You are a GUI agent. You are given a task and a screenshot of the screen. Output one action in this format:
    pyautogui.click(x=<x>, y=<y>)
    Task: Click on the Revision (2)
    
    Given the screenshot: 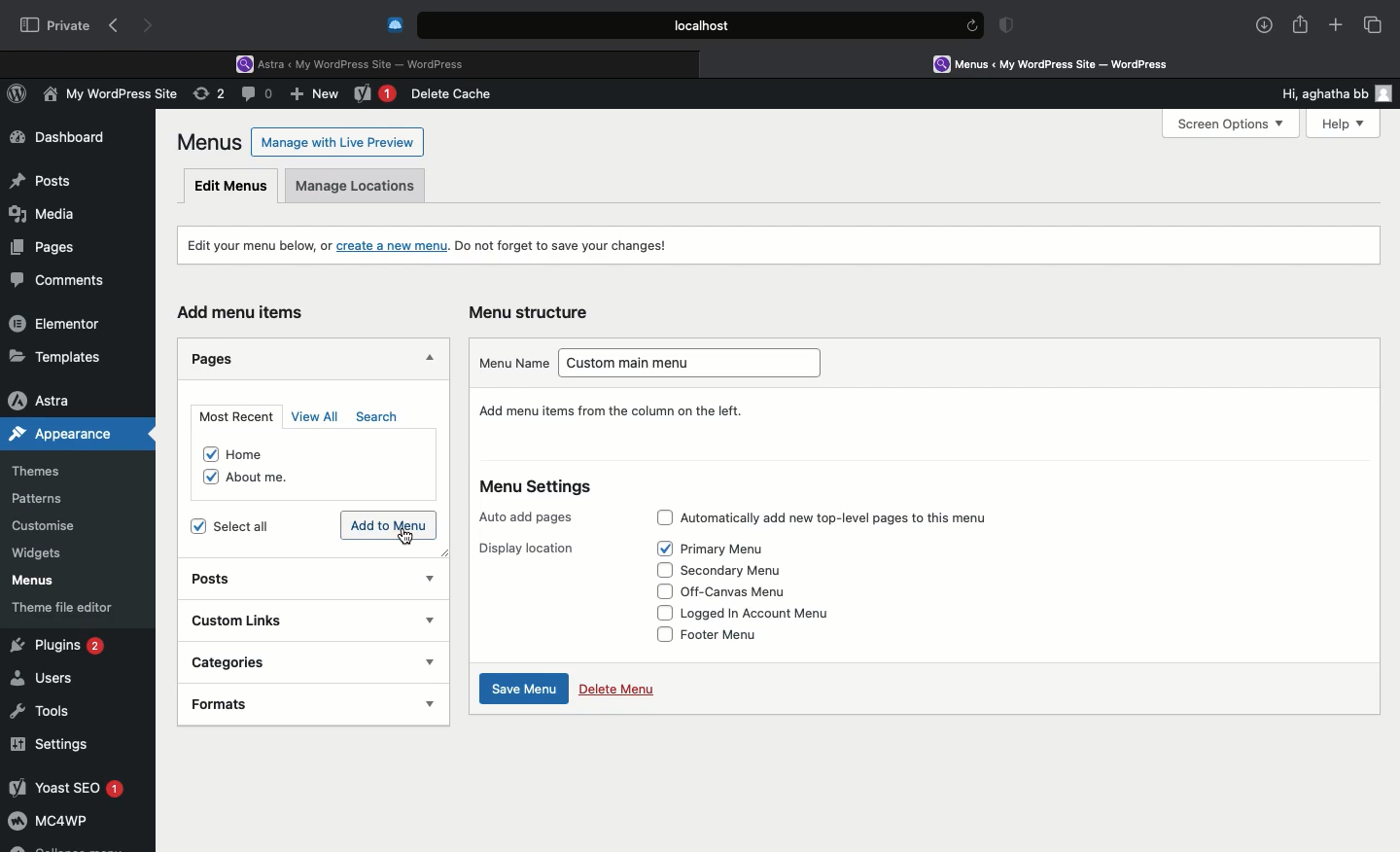 What is the action you would take?
    pyautogui.click(x=206, y=96)
    